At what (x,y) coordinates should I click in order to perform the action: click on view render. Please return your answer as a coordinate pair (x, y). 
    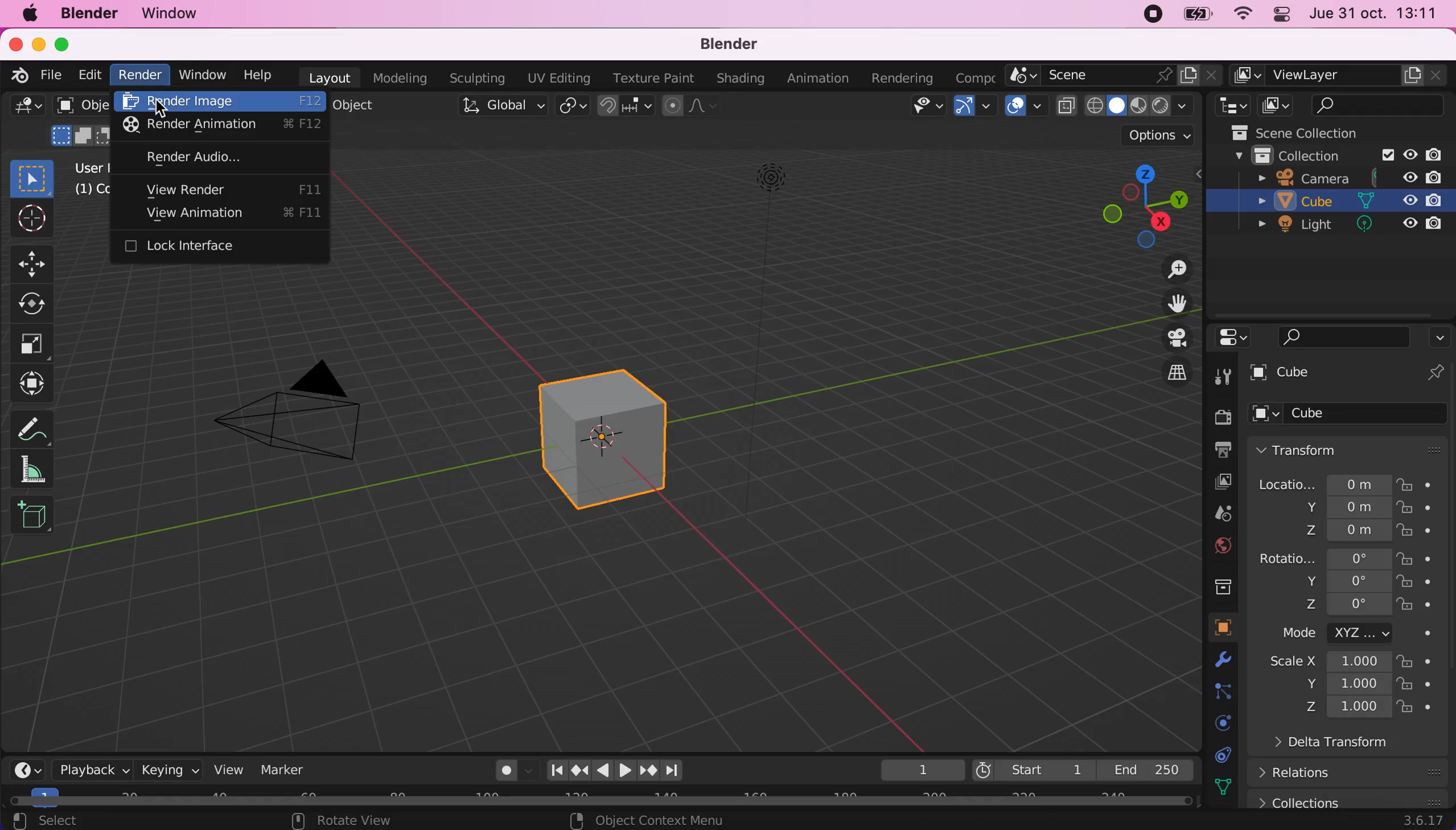
    Looking at the image, I should click on (222, 190).